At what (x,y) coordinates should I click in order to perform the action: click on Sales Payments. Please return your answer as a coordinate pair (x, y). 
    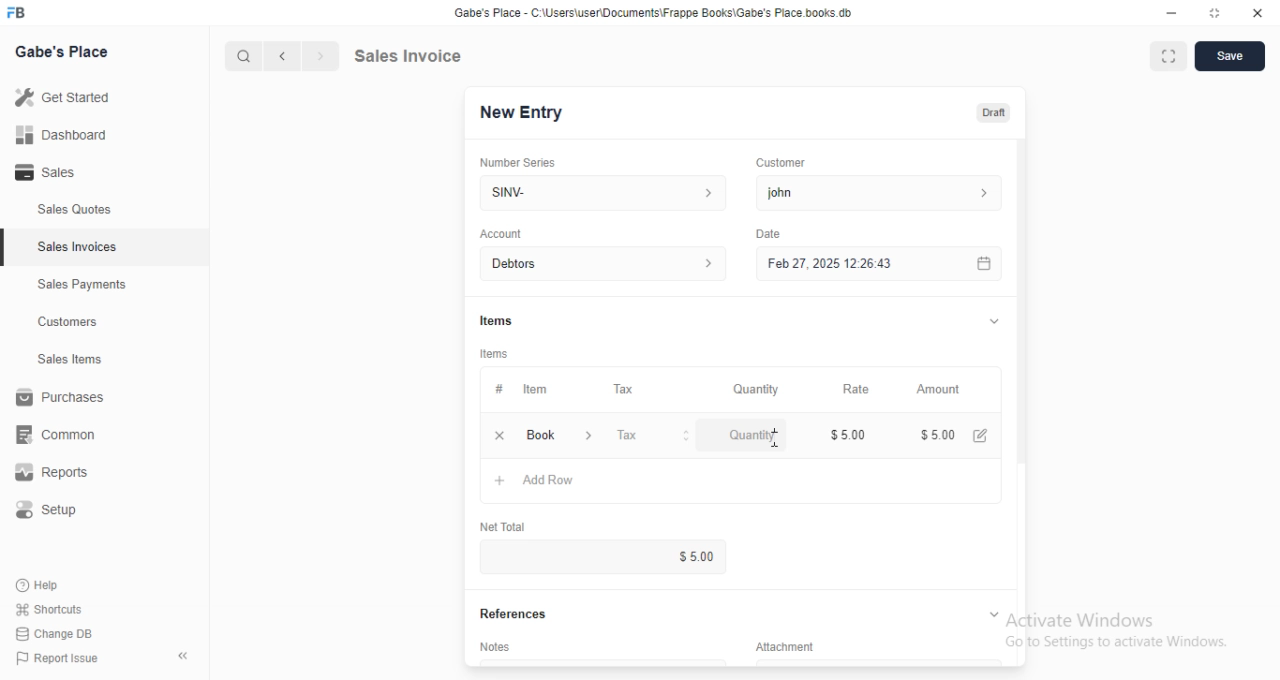
    Looking at the image, I should click on (82, 285).